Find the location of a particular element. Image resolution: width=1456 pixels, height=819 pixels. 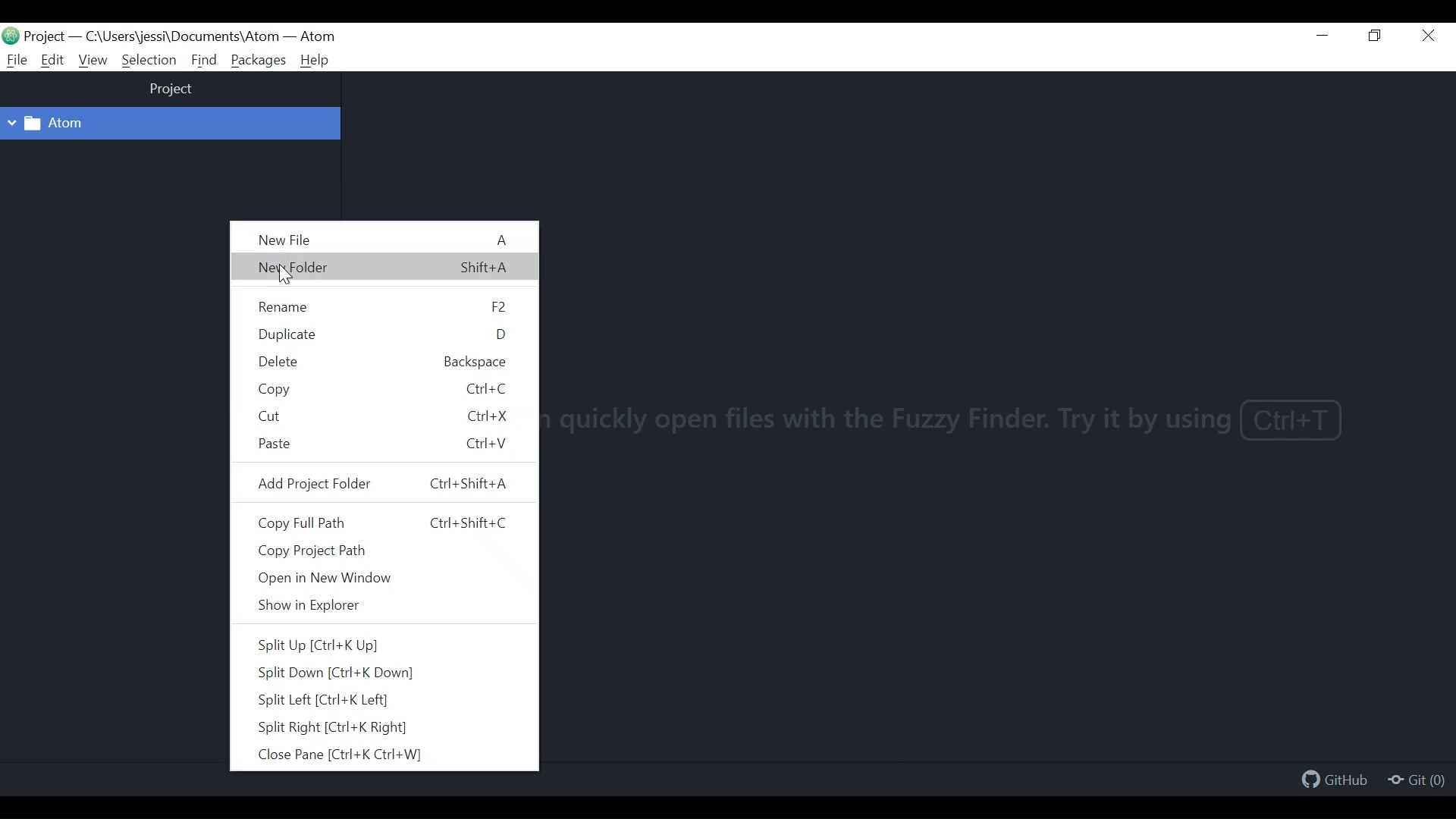

Delete is located at coordinates (281, 362).